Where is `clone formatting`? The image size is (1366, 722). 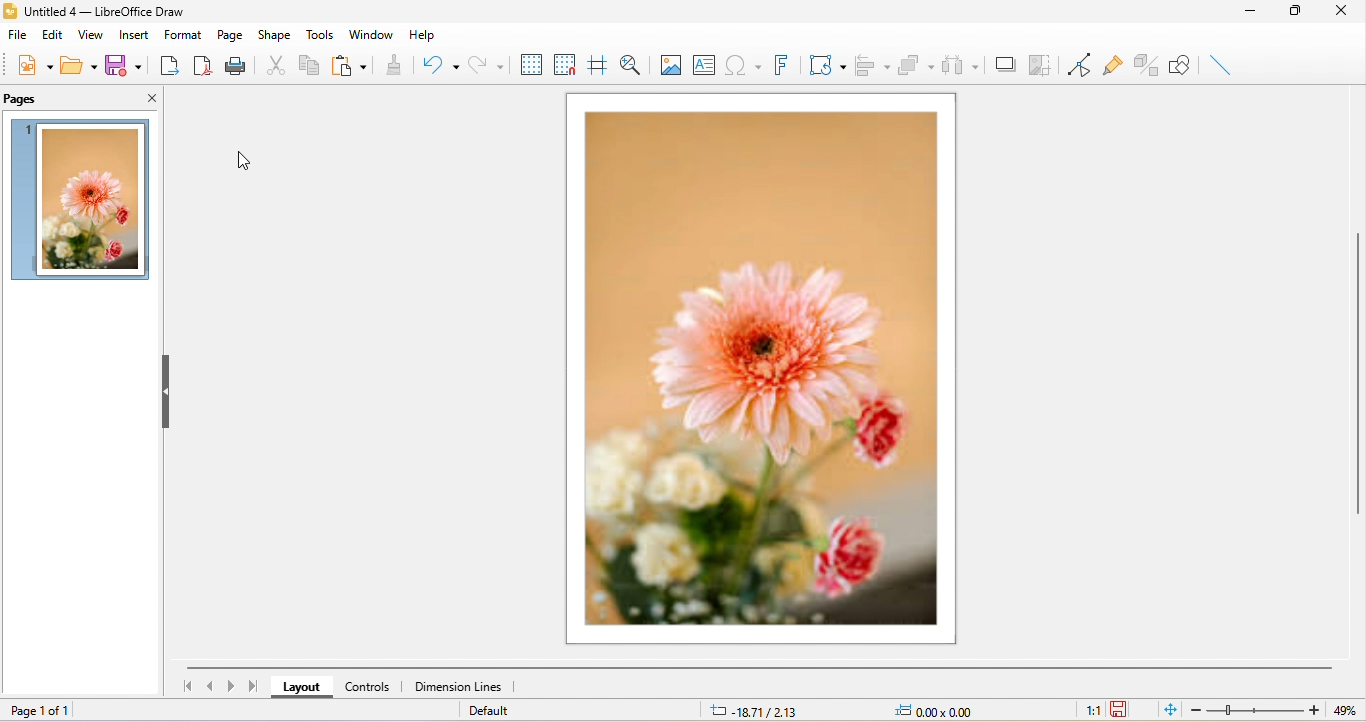
clone formatting is located at coordinates (392, 67).